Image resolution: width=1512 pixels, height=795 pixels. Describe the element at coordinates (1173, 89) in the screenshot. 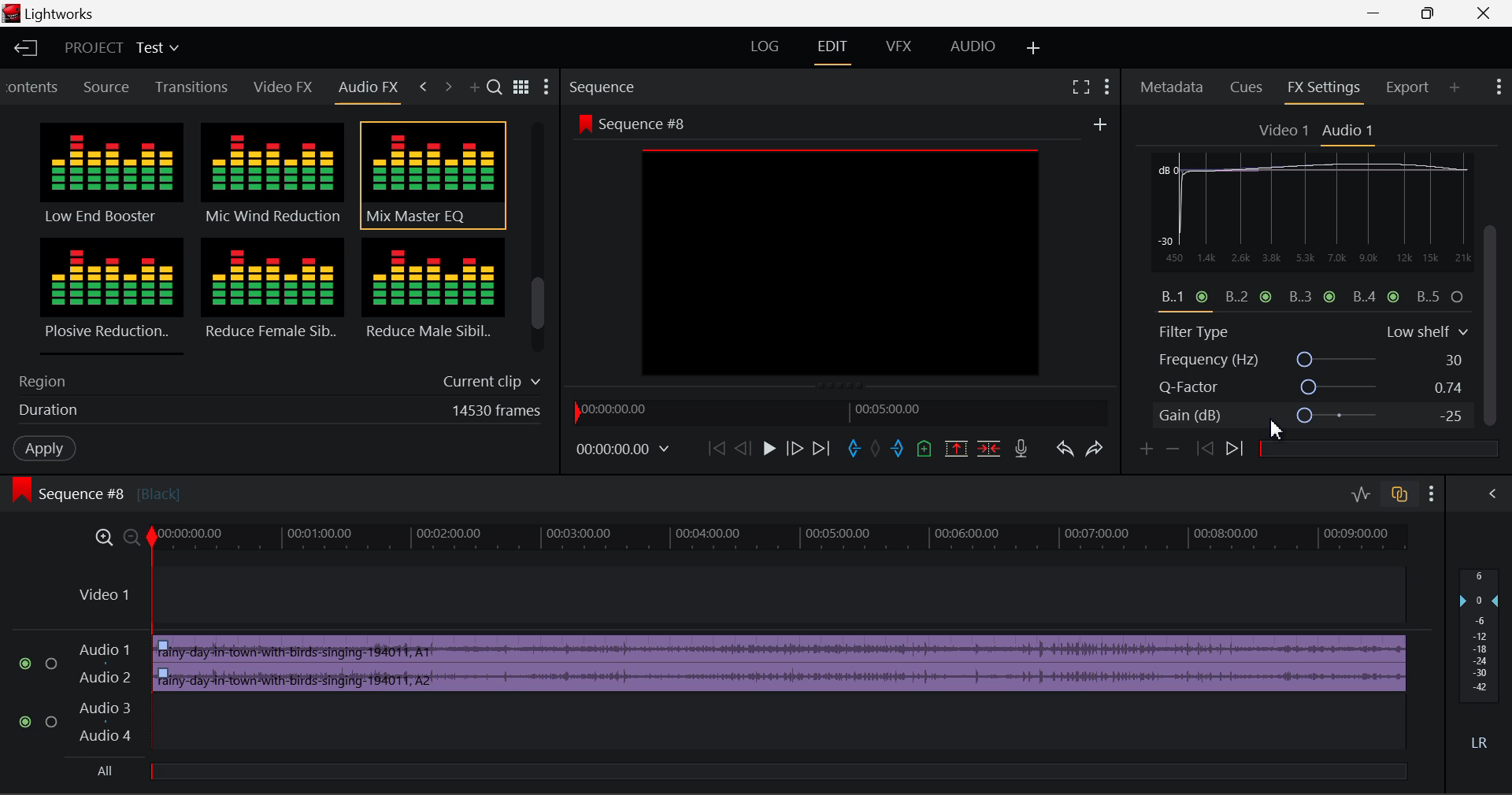

I see `Metadata` at that location.